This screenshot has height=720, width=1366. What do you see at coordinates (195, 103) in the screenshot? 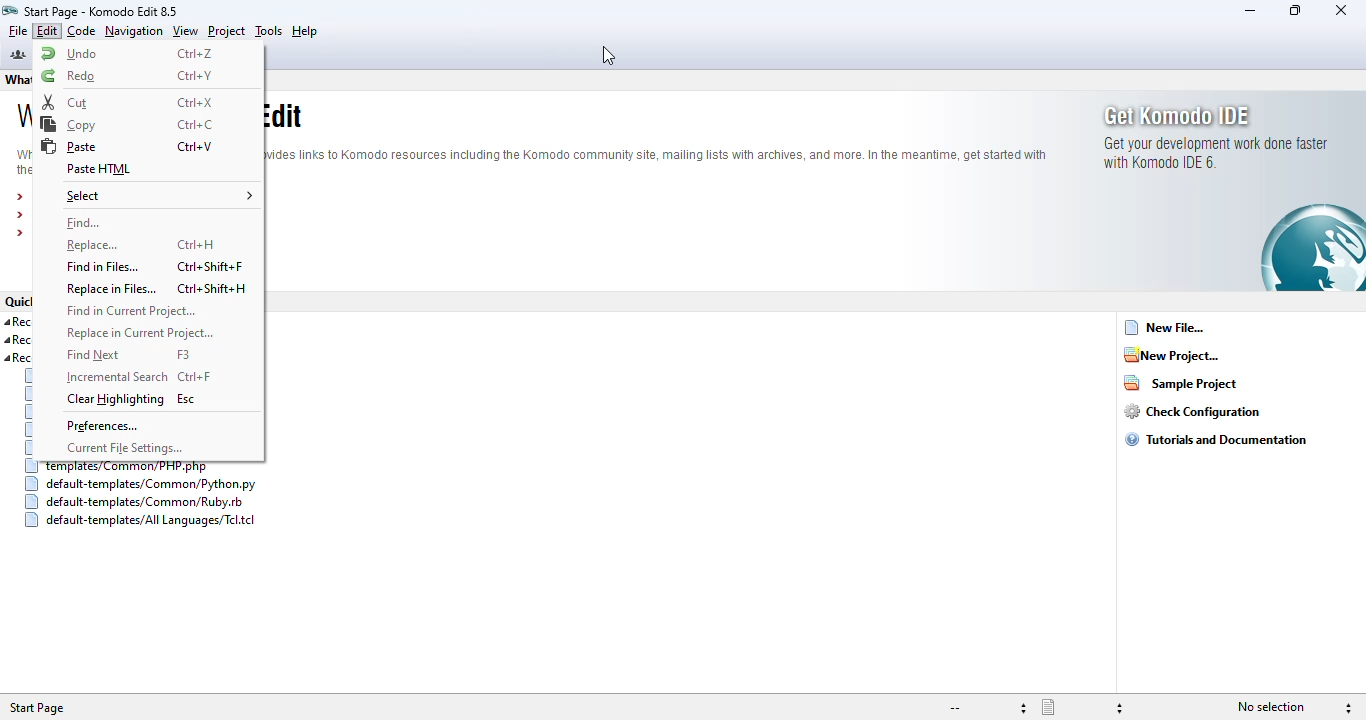
I see `shortcut for cut` at bounding box center [195, 103].